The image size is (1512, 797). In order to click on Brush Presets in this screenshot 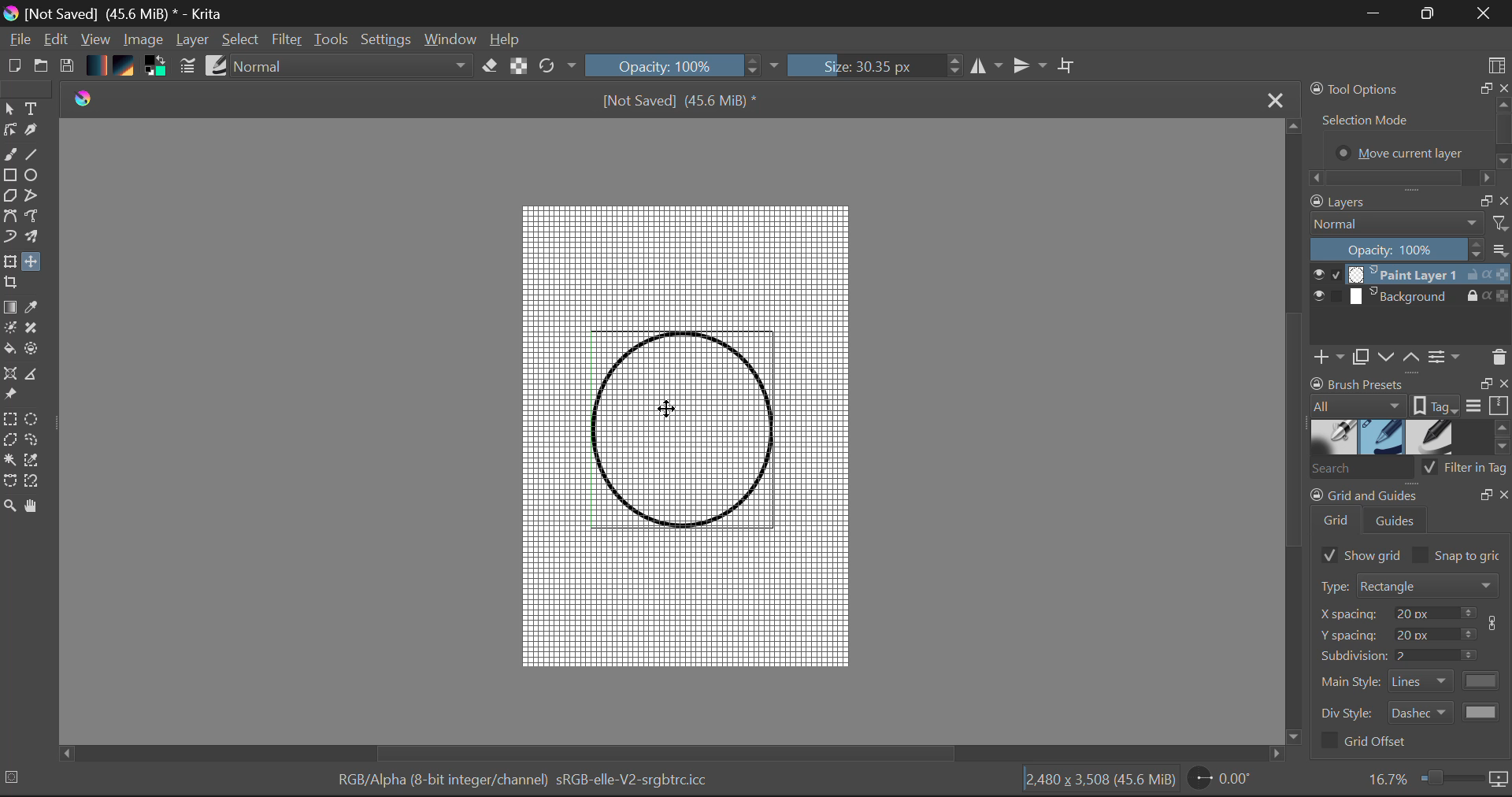, I will do `click(217, 67)`.